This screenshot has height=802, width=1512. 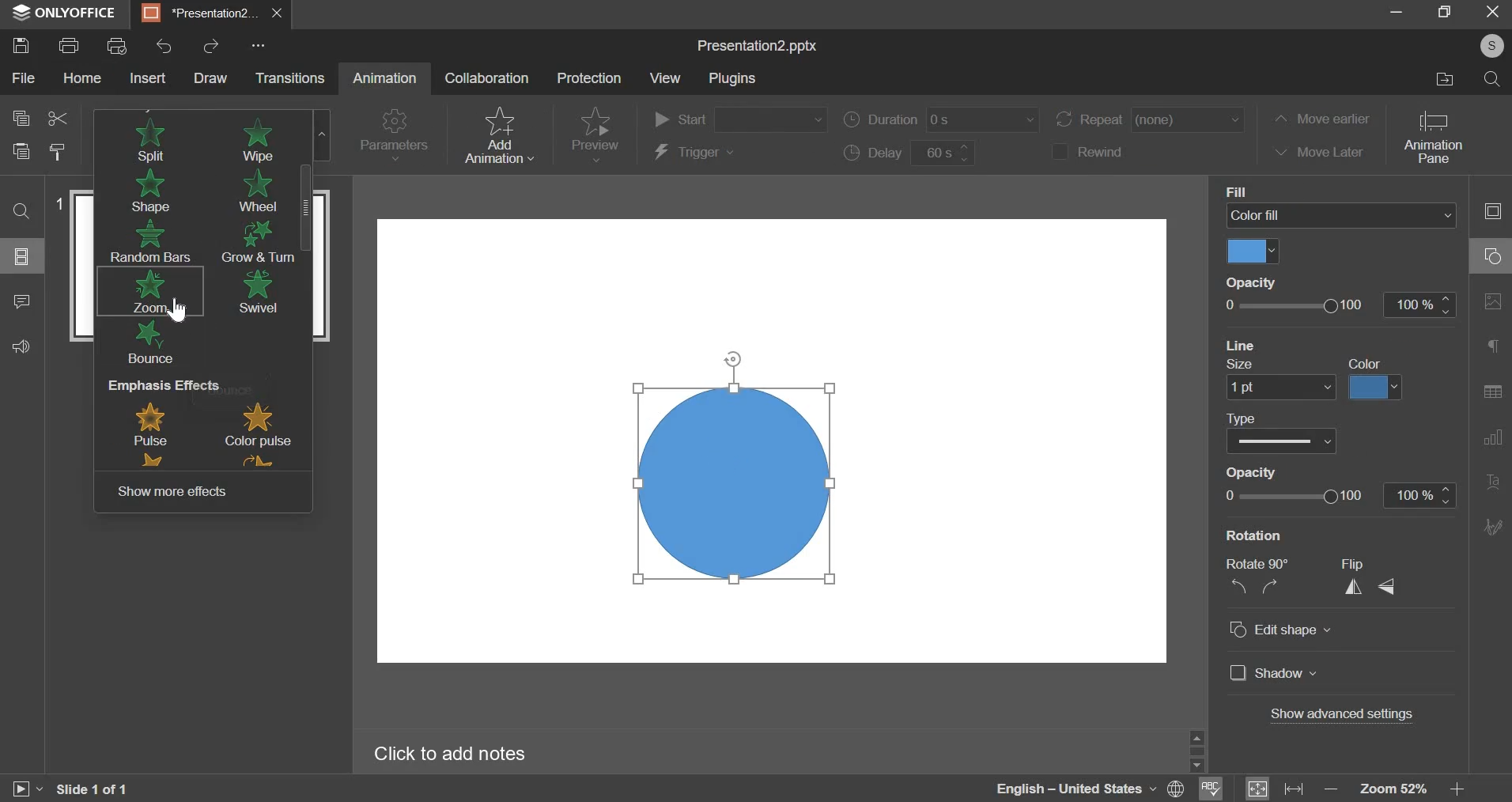 What do you see at coordinates (1494, 79) in the screenshot?
I see `search` at bounding box center [1494, 79].